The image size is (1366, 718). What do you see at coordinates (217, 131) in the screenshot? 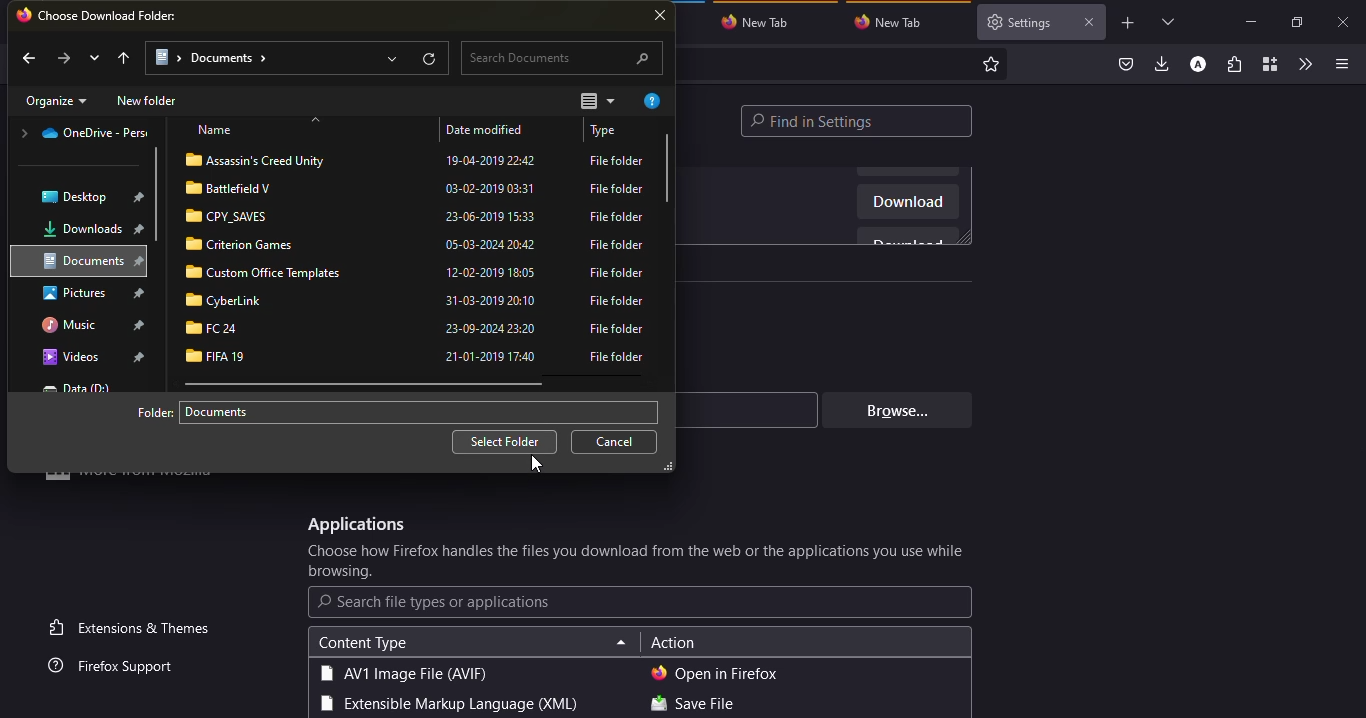
I see `name` at bounding box center [217, 131].